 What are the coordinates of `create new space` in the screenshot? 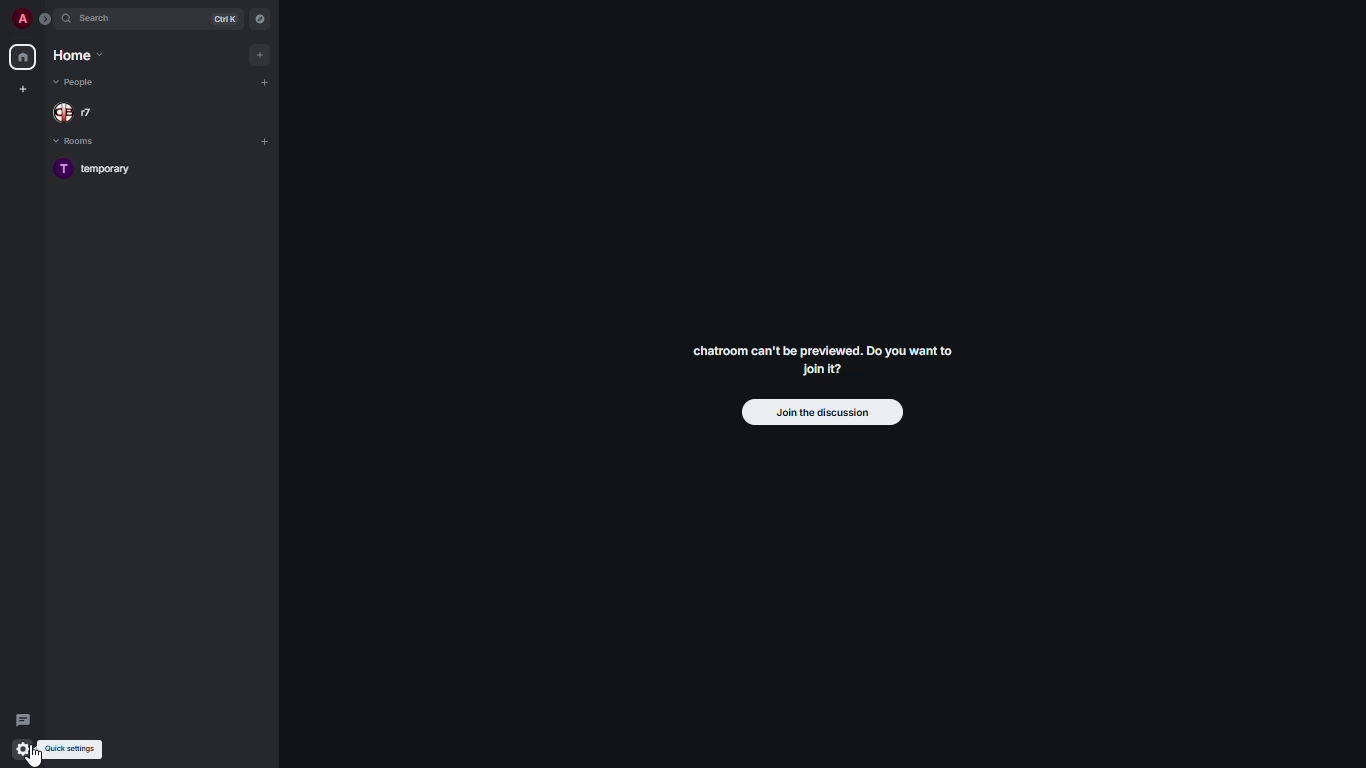 It's located at (24, 88).